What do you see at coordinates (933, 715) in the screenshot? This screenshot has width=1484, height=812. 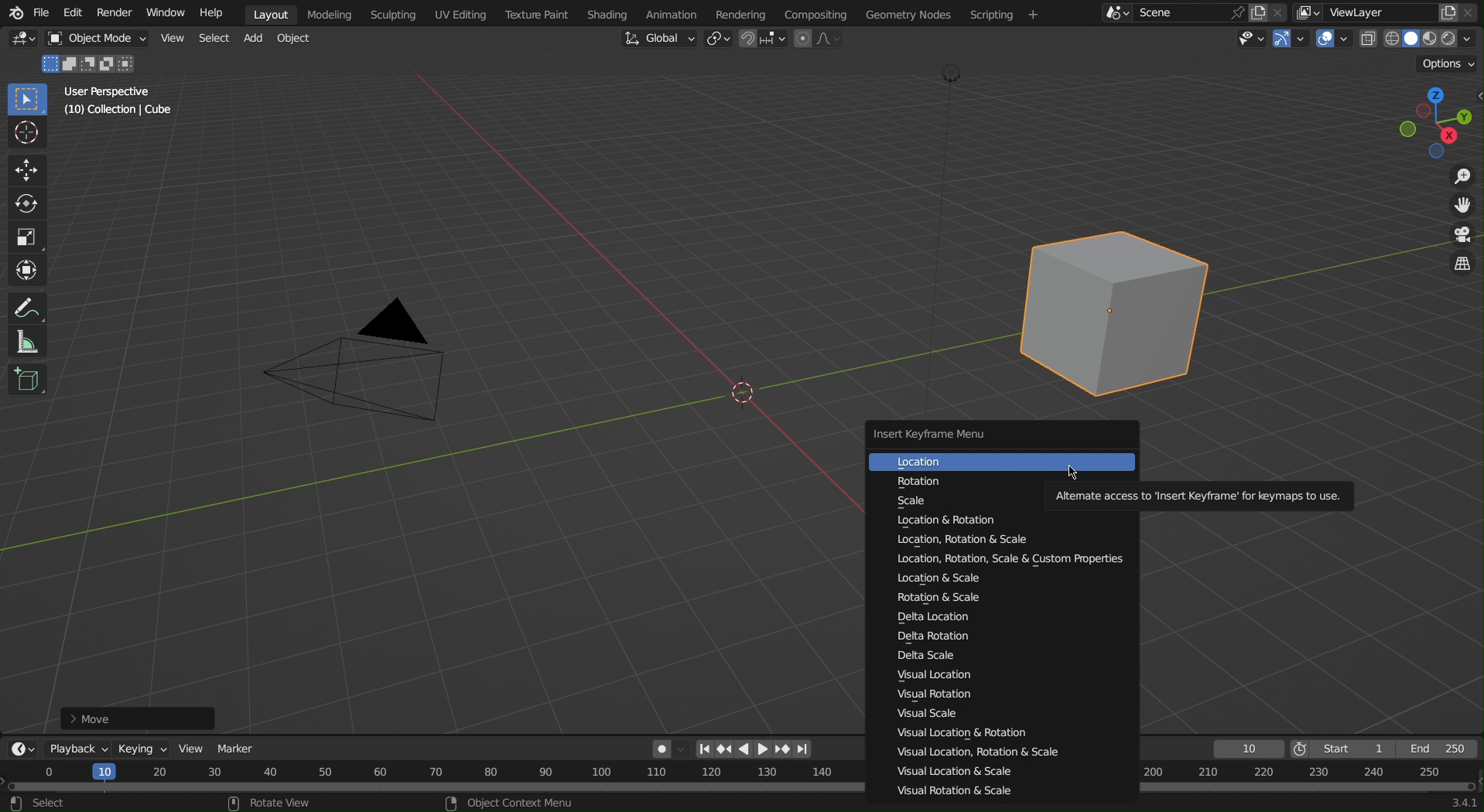 I see `Visual Scale` at bounding box center [933, 715].